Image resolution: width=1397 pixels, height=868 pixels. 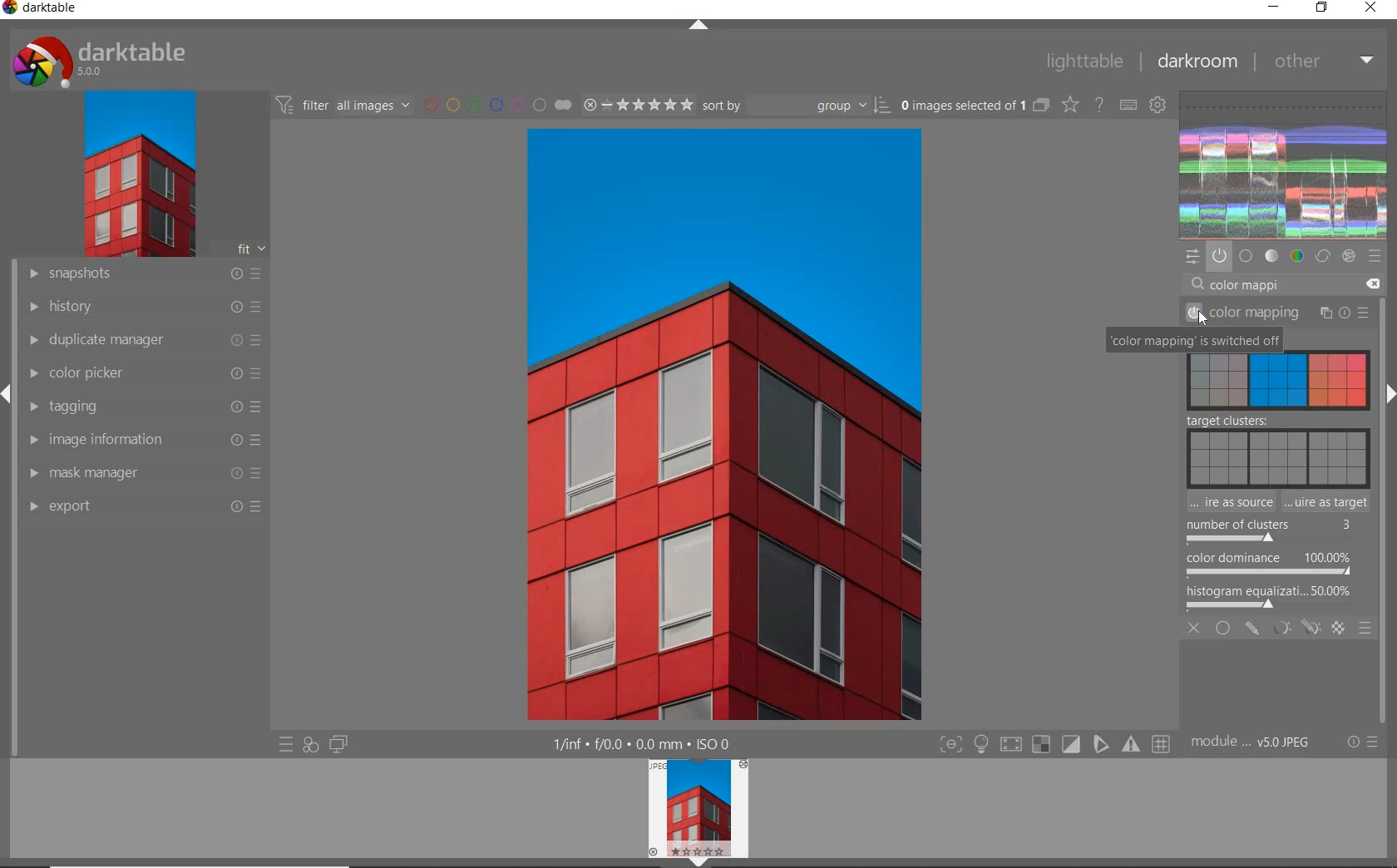 I want to click on color picker, so click(x=144, y=373).